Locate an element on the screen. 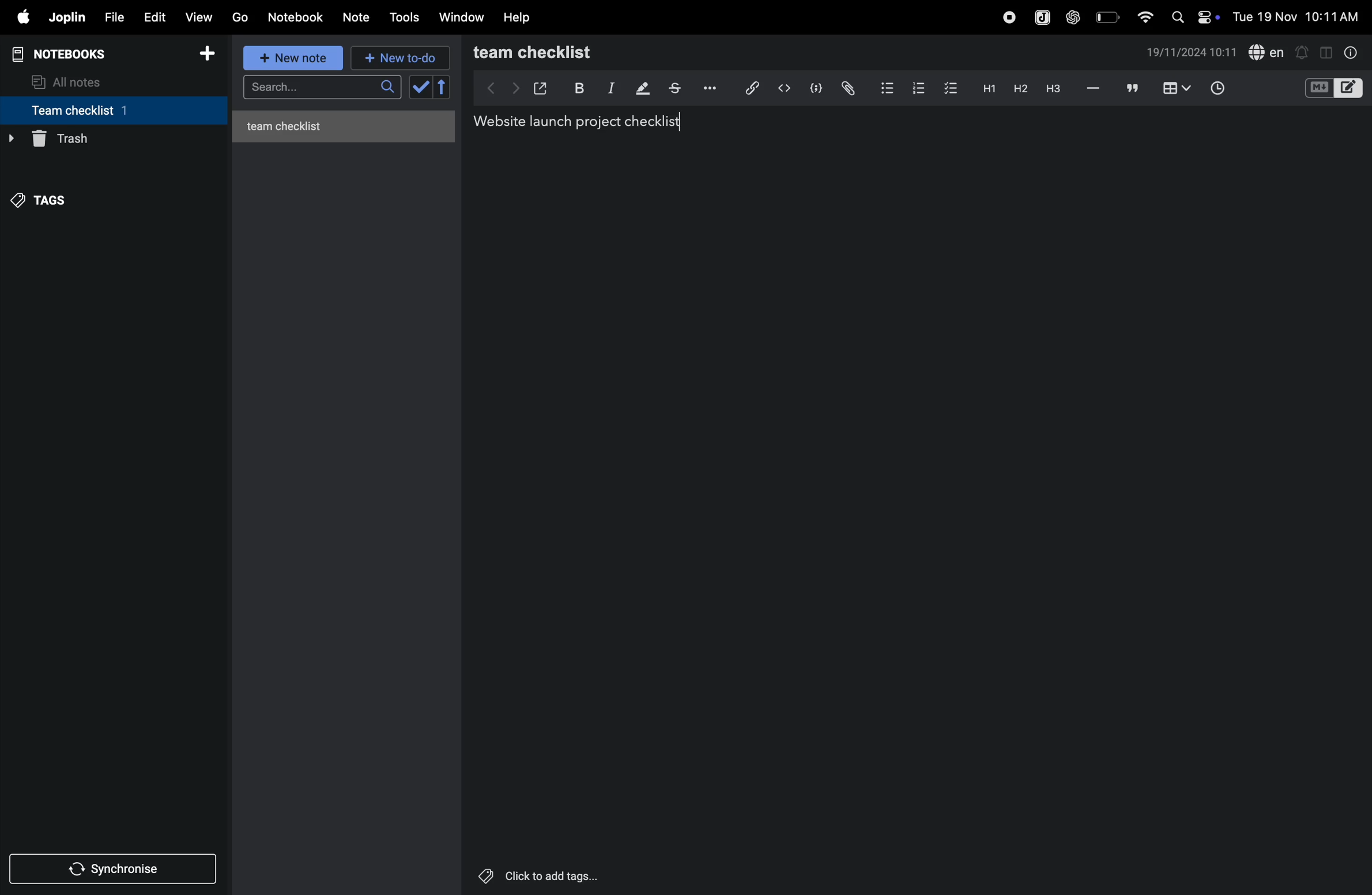  checklist is located at coordinates (952, 89).